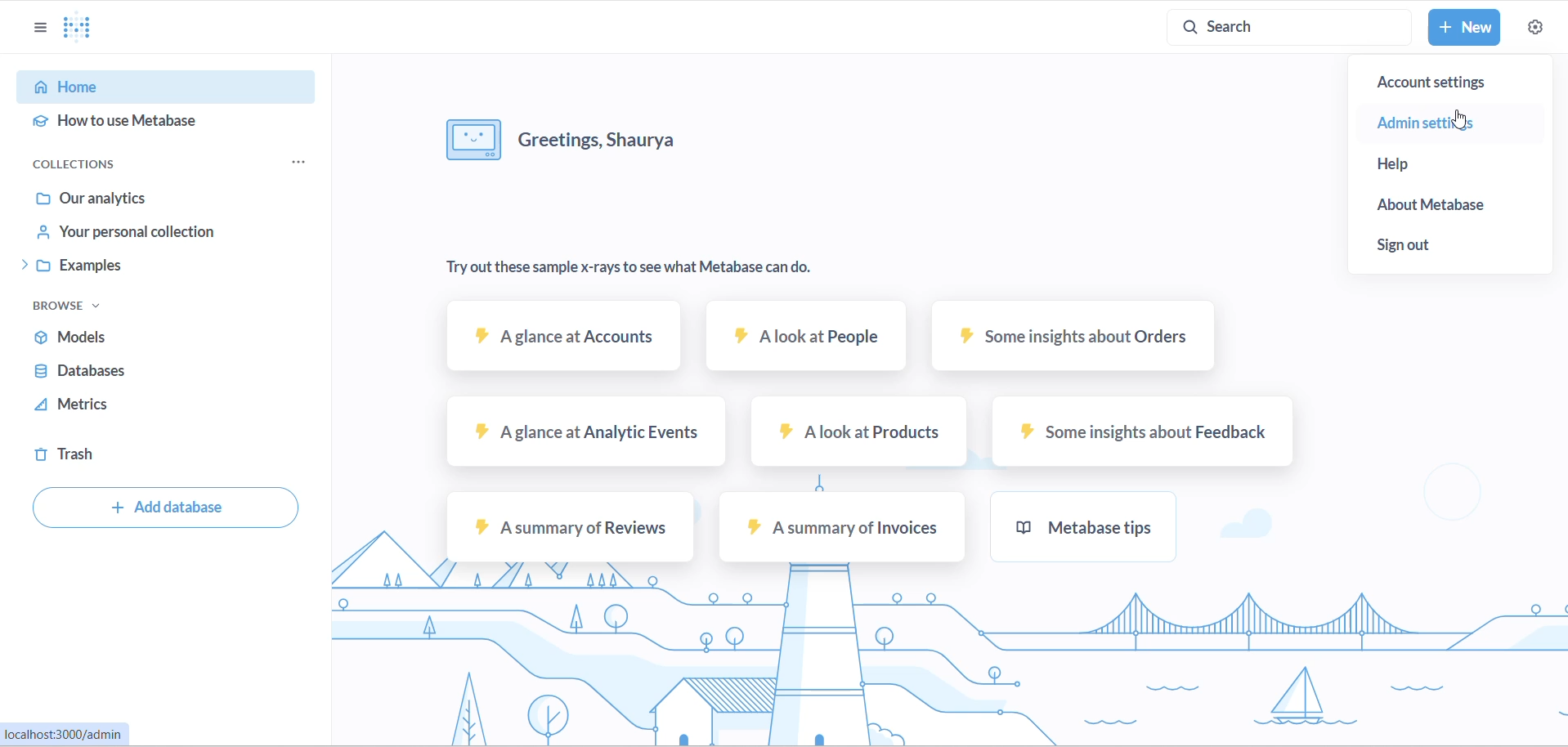 This screenshot has width=1568, height=747. I want to click on greeting, shaurya, so click(611, 136).